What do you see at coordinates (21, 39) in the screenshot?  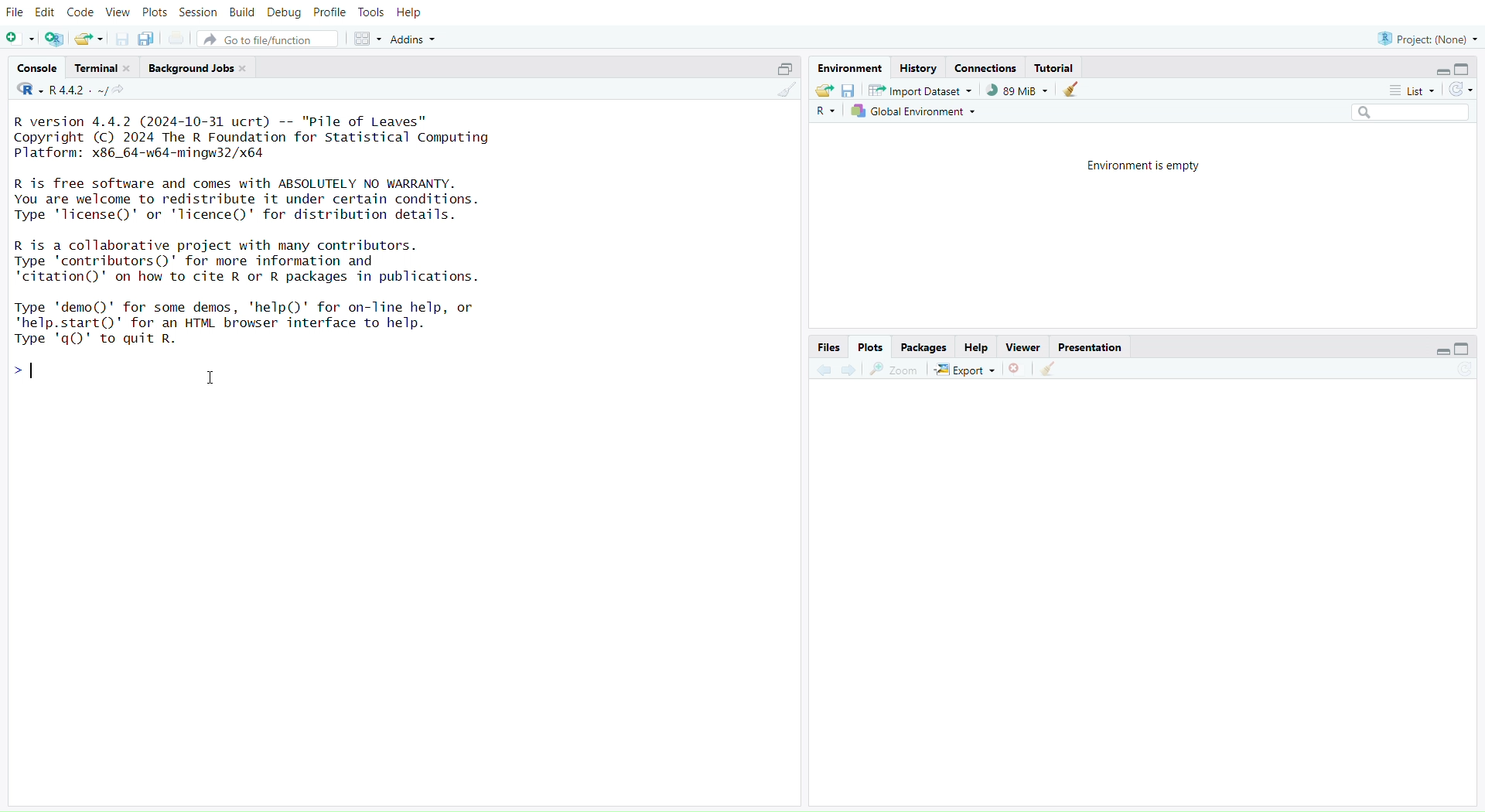 I see `New File` at bounding box center [21, 39].